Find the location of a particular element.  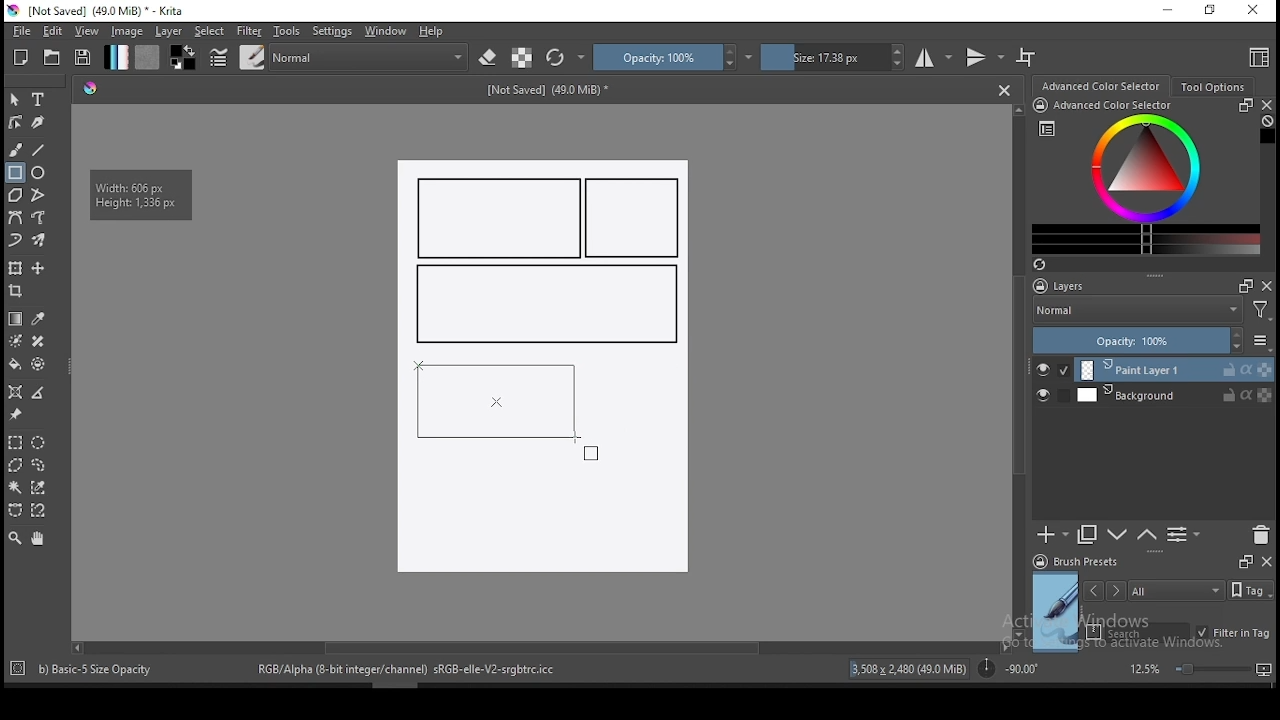

view or change layer properties is located at coordinates (1183, 534).